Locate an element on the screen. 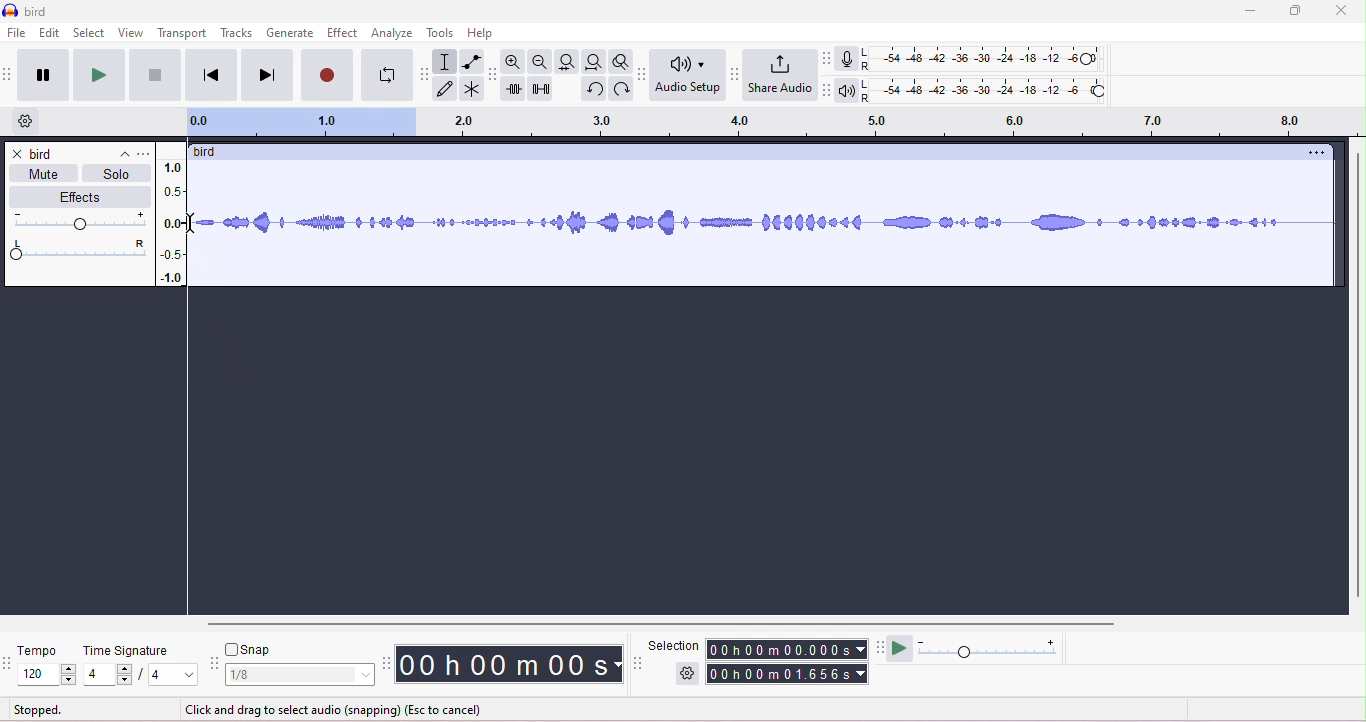 The height and width of the screenshot is (722, 1366). tempo is located at coordinates (44, 651).